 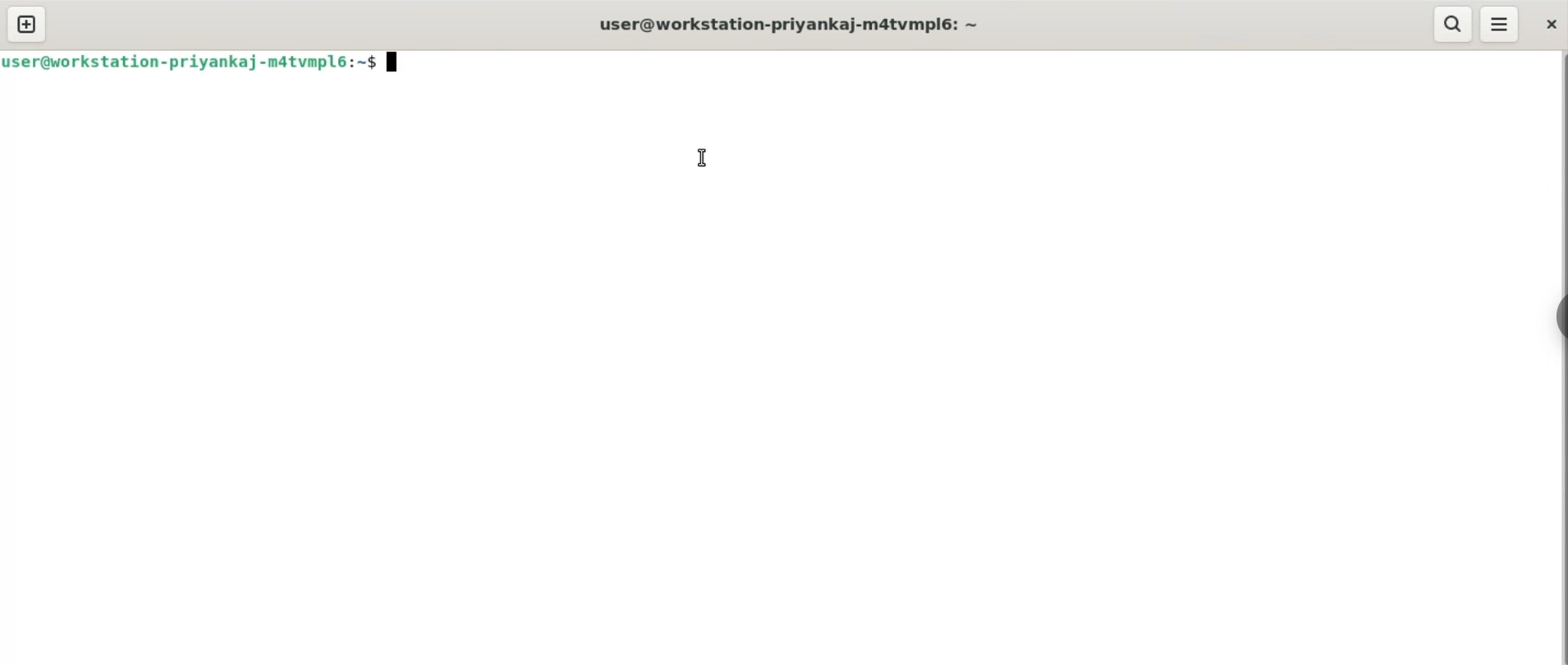 I want to click on new tab, so click(x=28, y=23).